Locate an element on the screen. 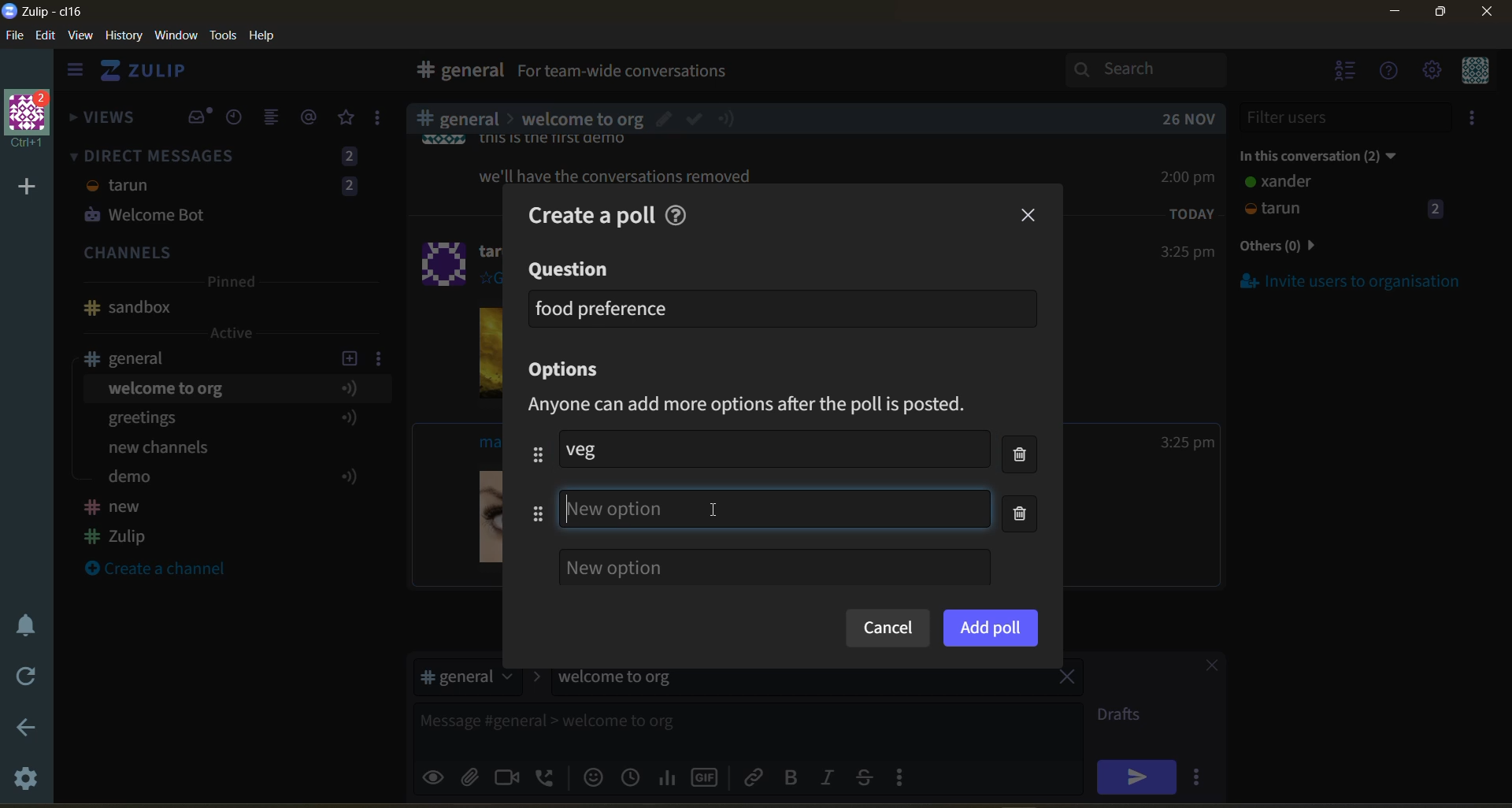  close is located at coordinates (1030, 216).